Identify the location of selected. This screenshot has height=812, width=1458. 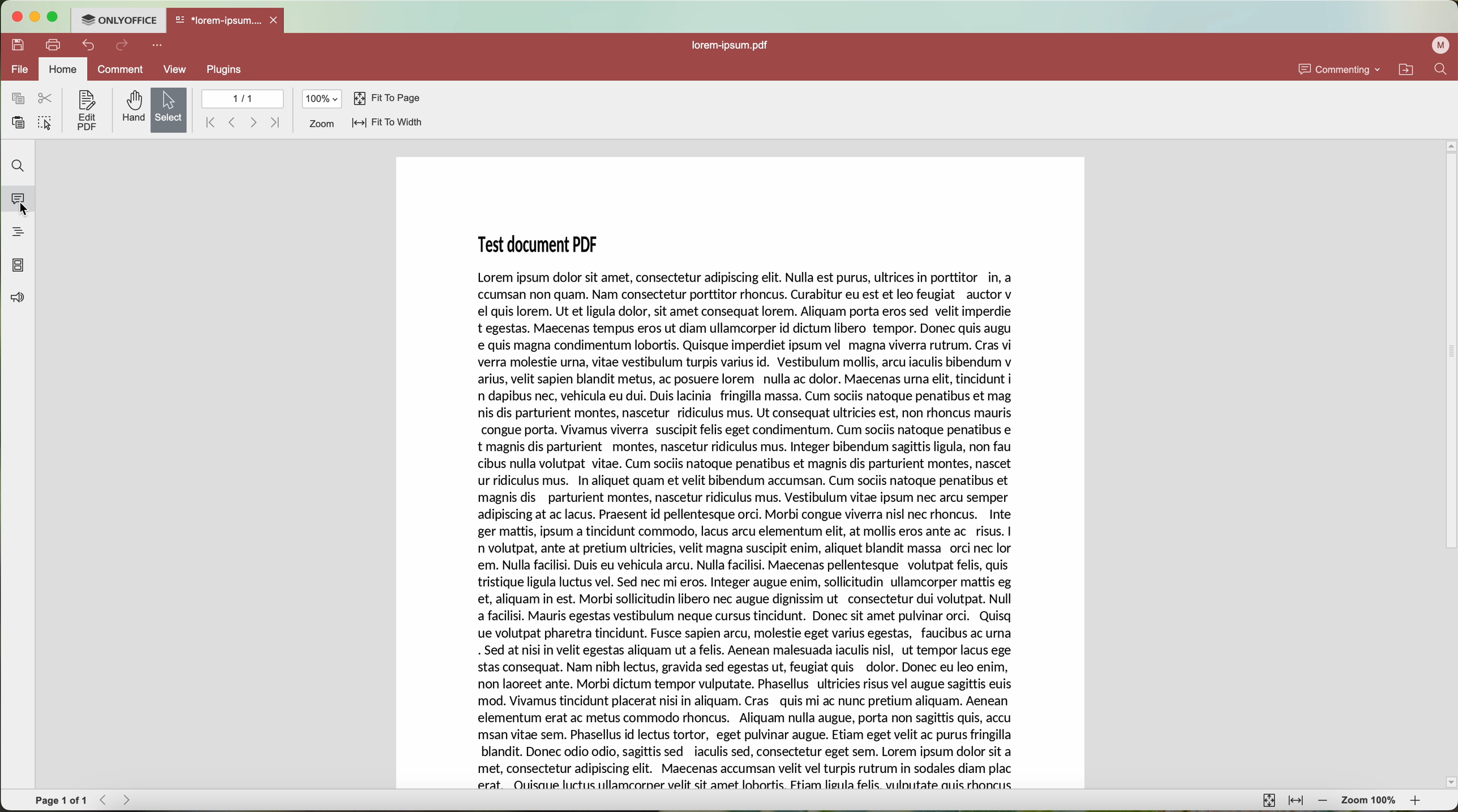
(170, 110).